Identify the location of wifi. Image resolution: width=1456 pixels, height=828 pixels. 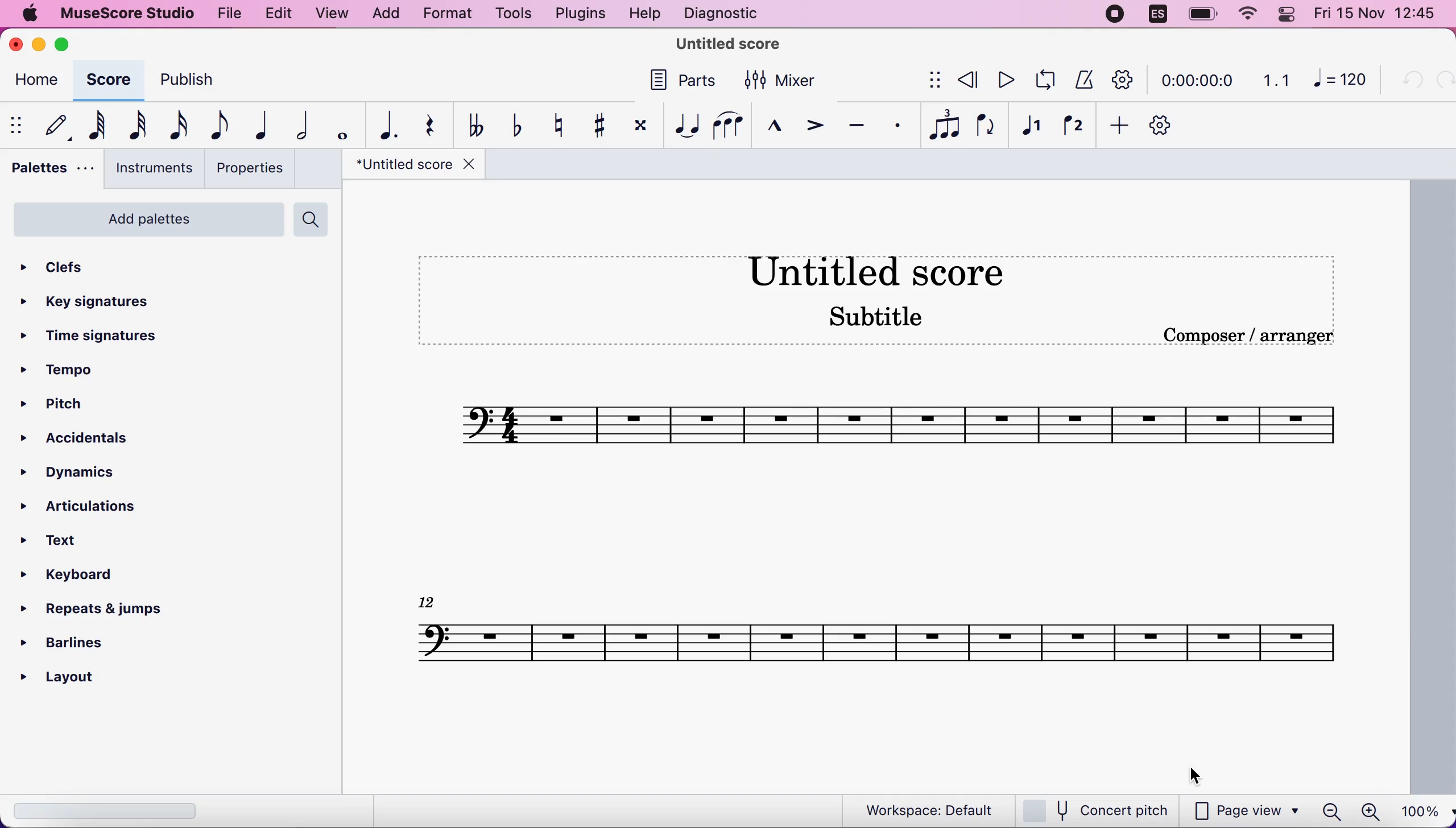
(1247, 16).